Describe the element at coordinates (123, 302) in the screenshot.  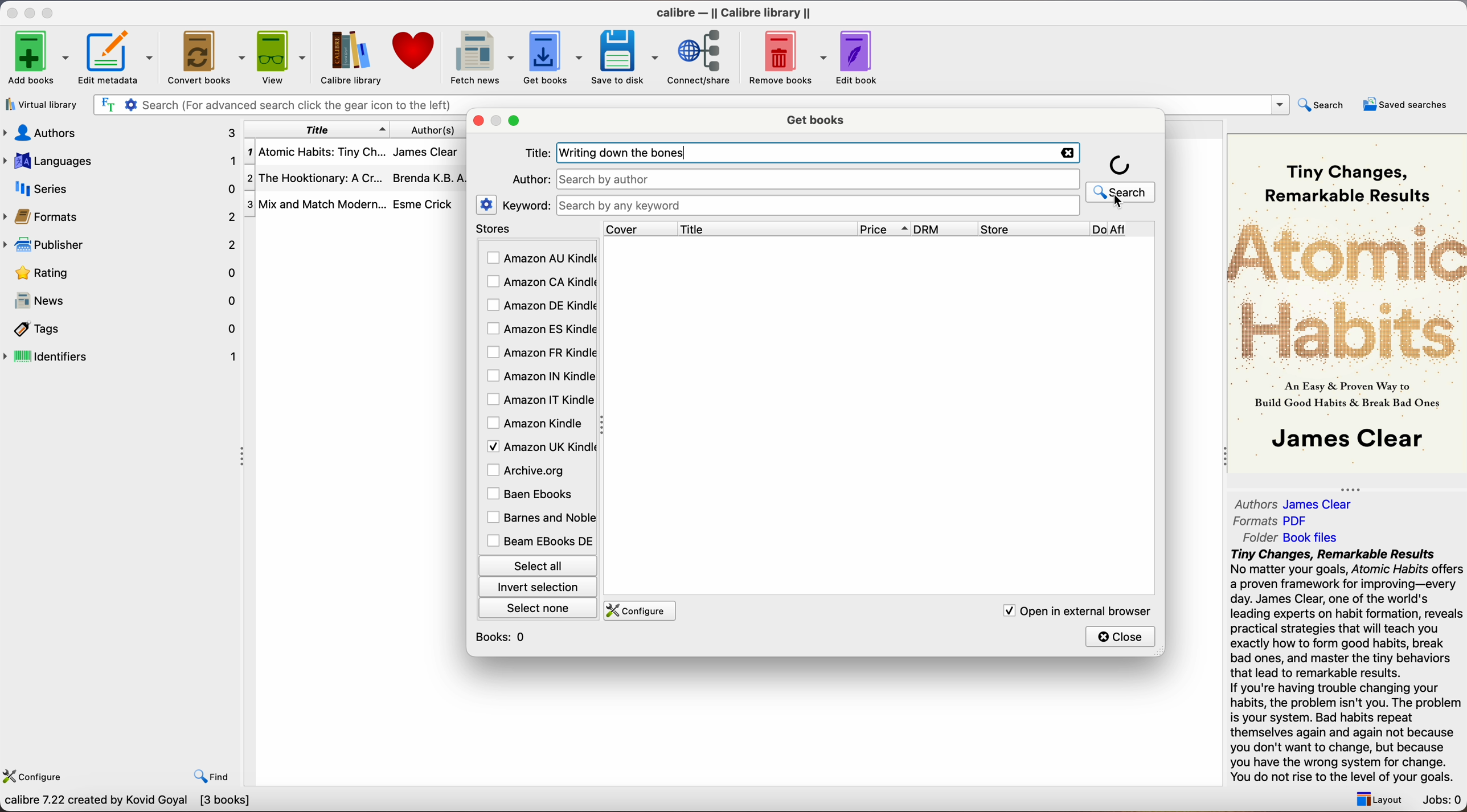
I see `news` at that location.